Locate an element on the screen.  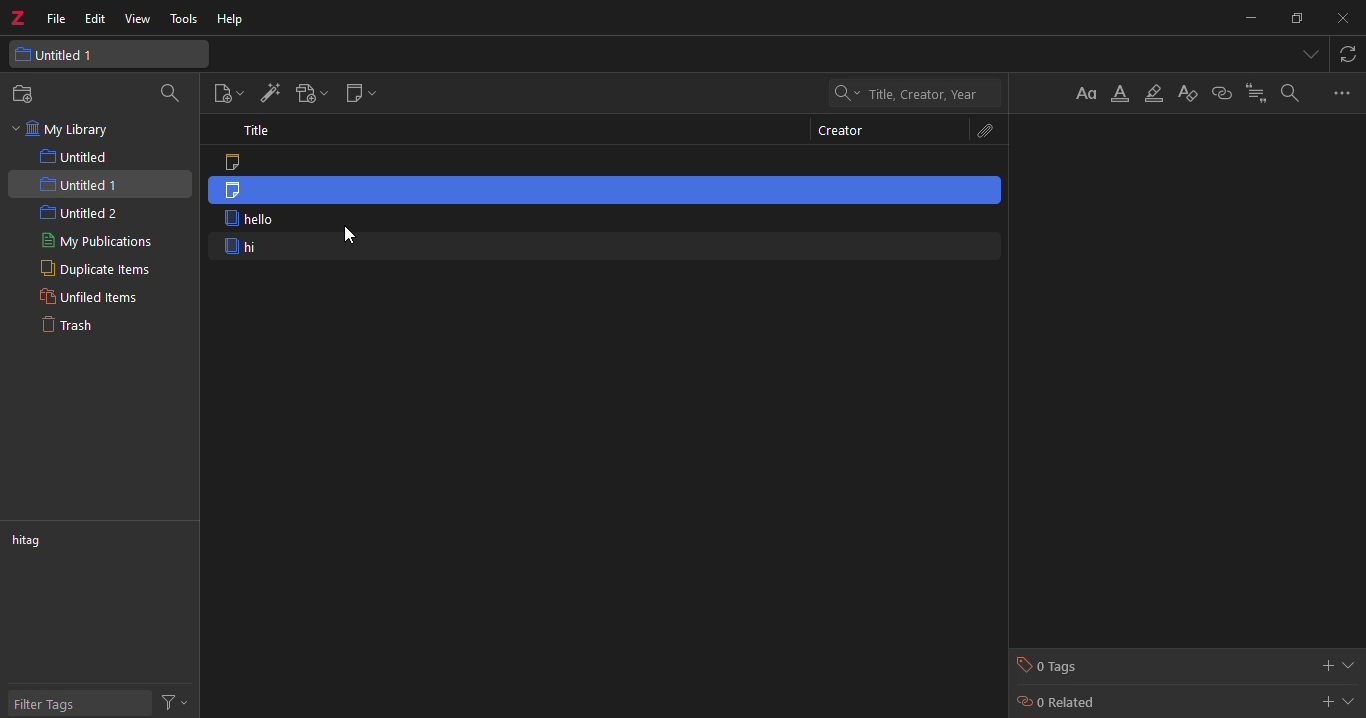
search is located at coordinates (173, 95).